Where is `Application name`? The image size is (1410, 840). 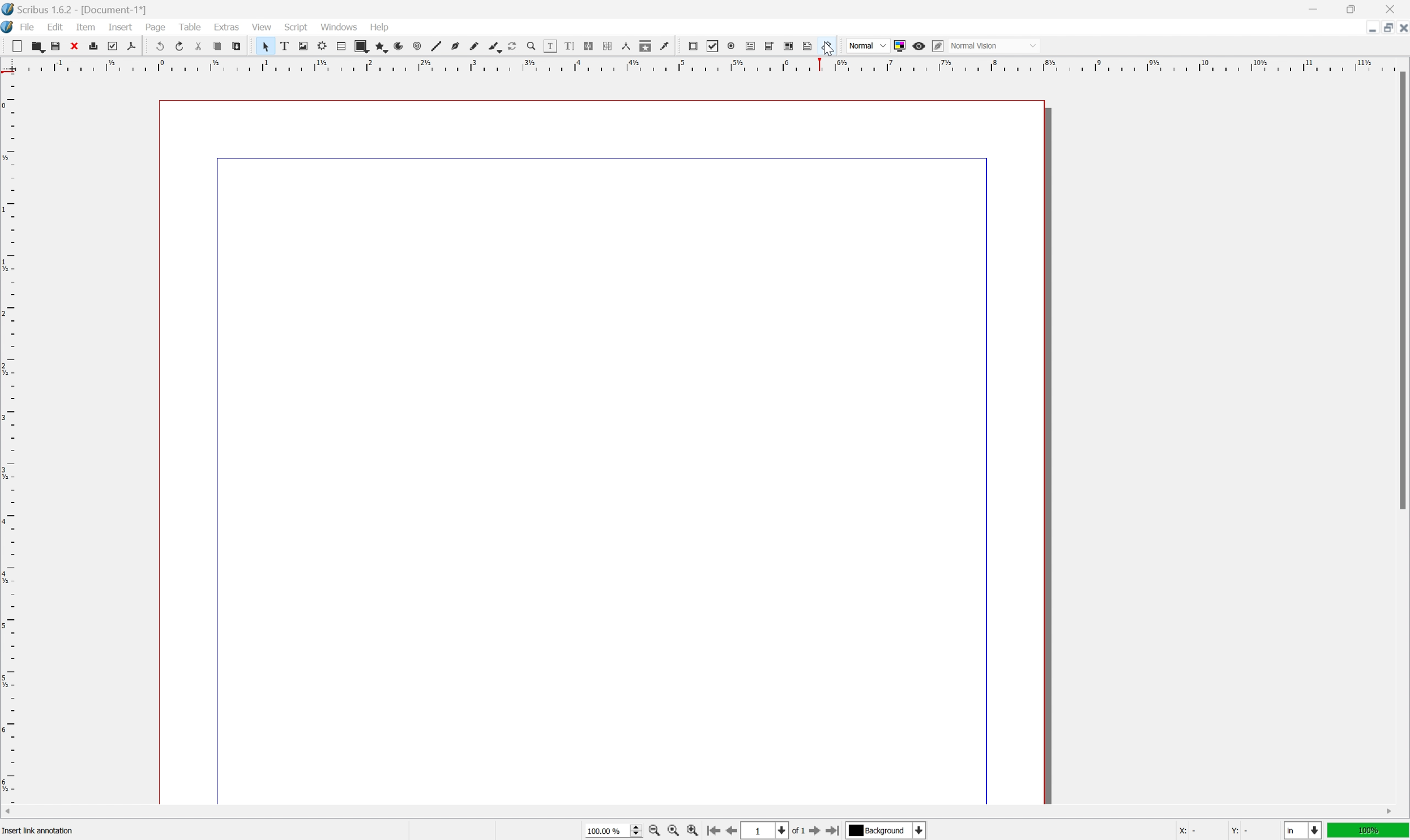
Application name is located at coordinates (75, 9).